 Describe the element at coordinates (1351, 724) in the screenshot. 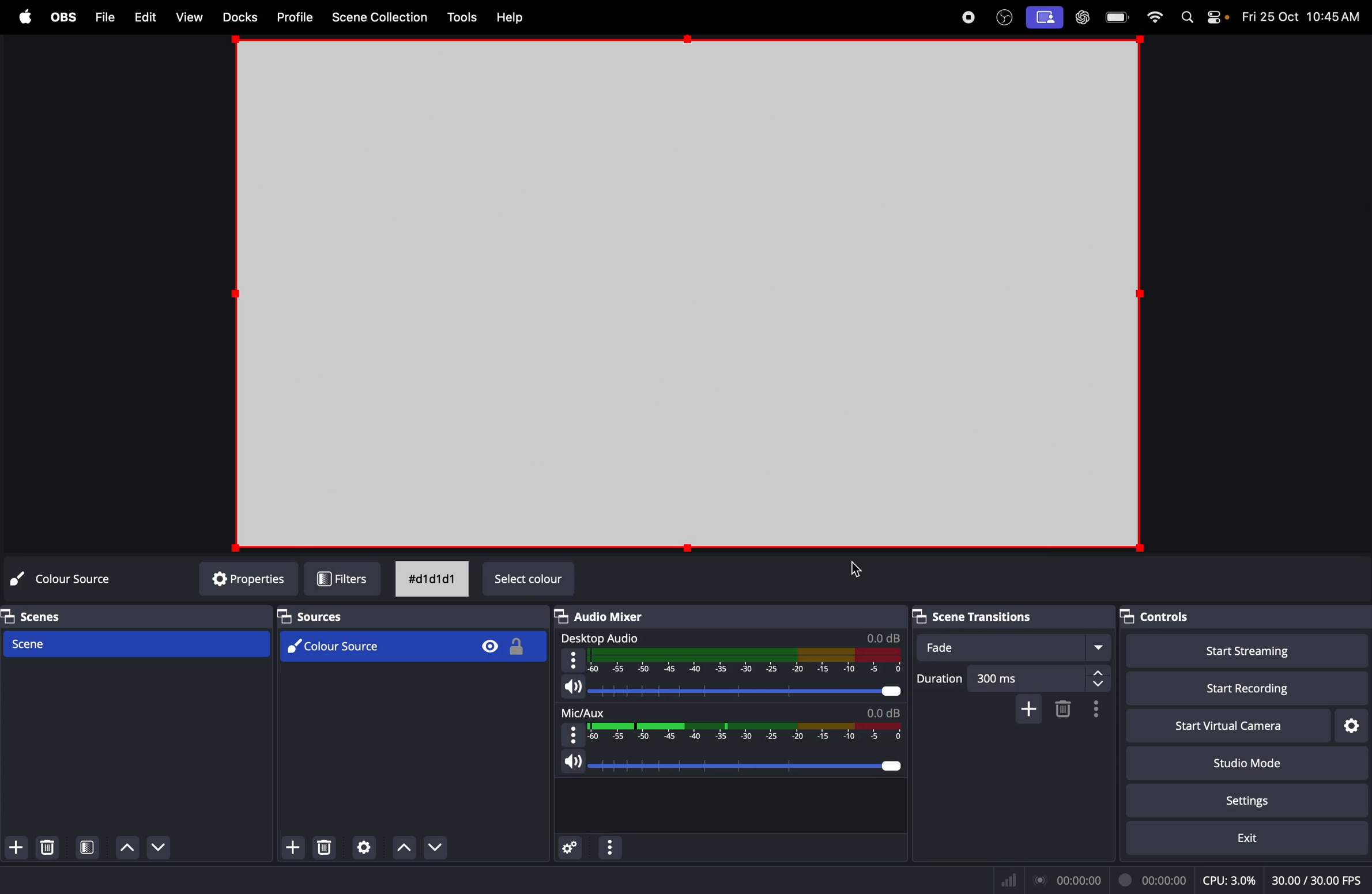

I see `virtual camera settings` at that location.